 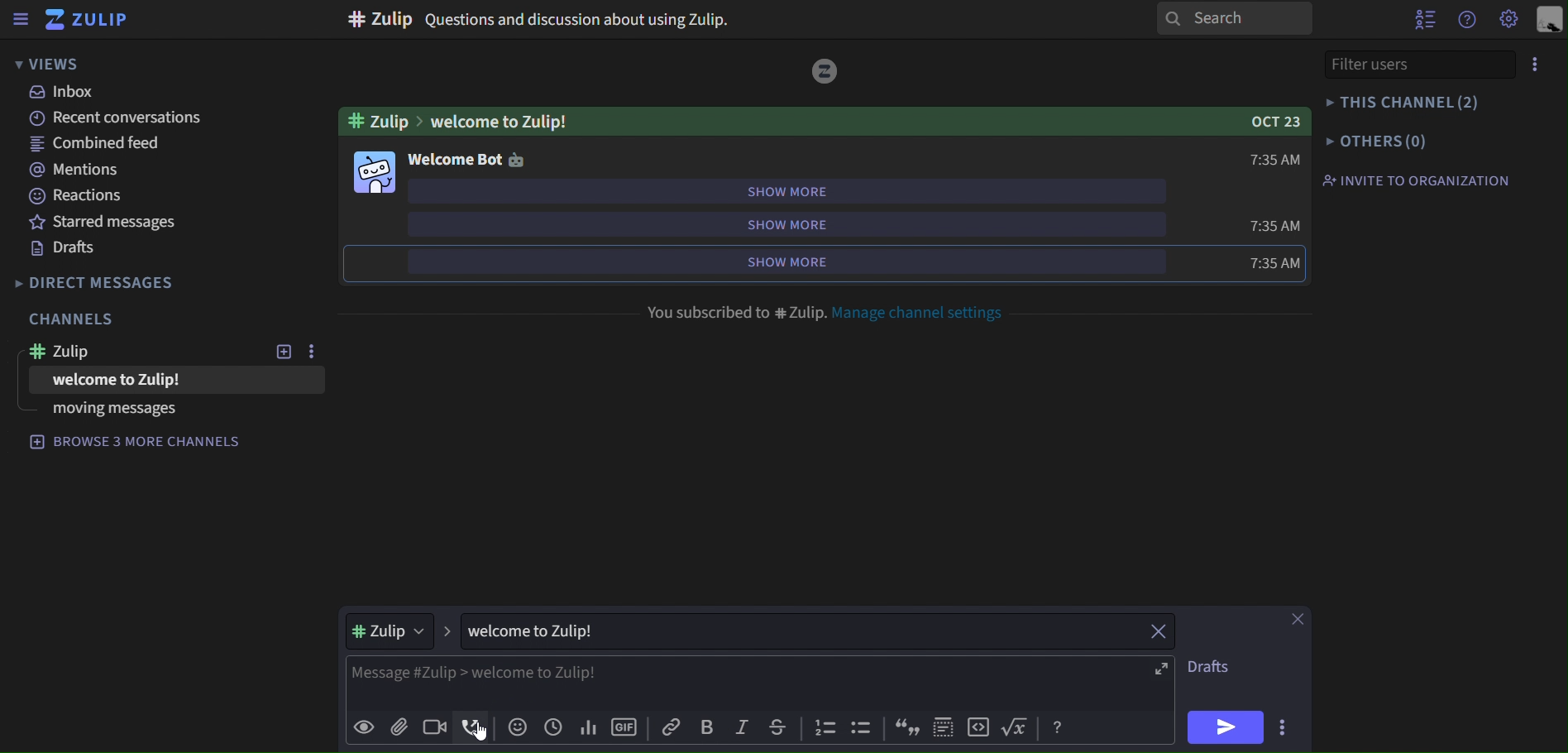 What do you see at coordinates (1159, 669) in the screenshot?
I see `fullscreen` at bounding box center [1159, 669].